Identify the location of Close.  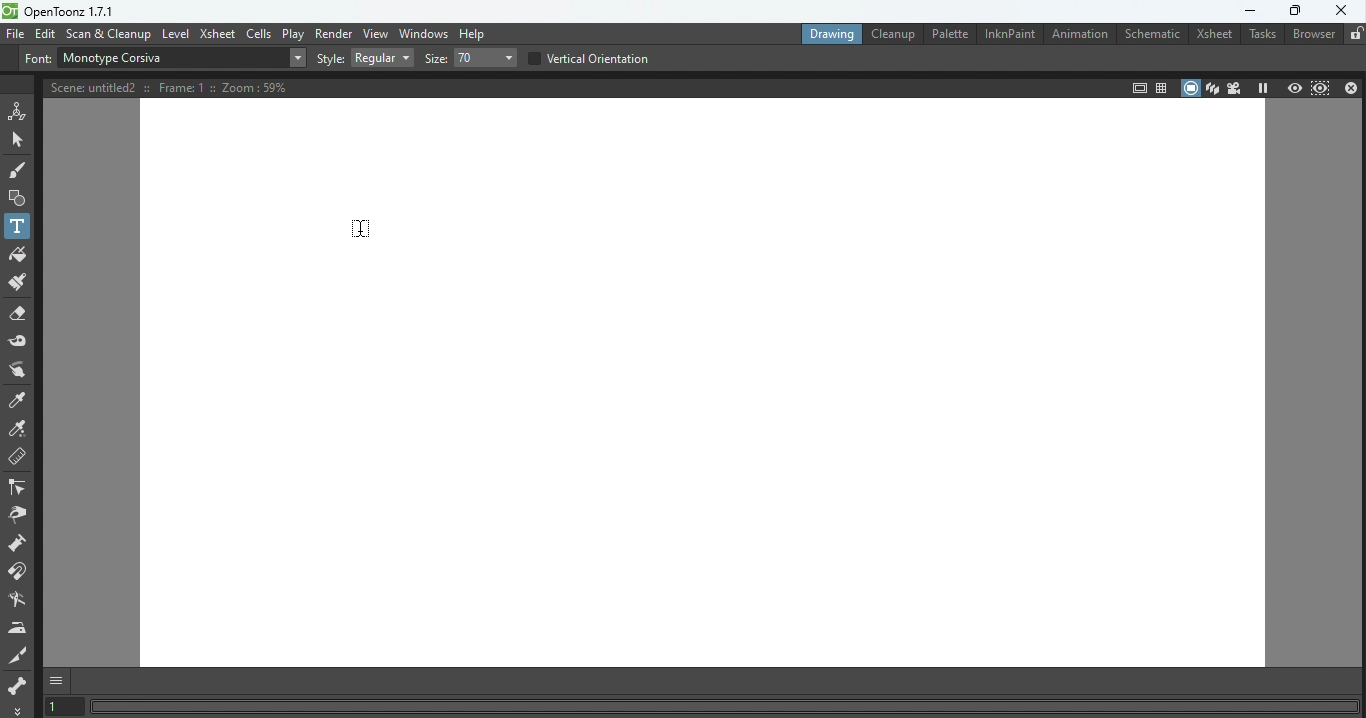
(1343, 12).